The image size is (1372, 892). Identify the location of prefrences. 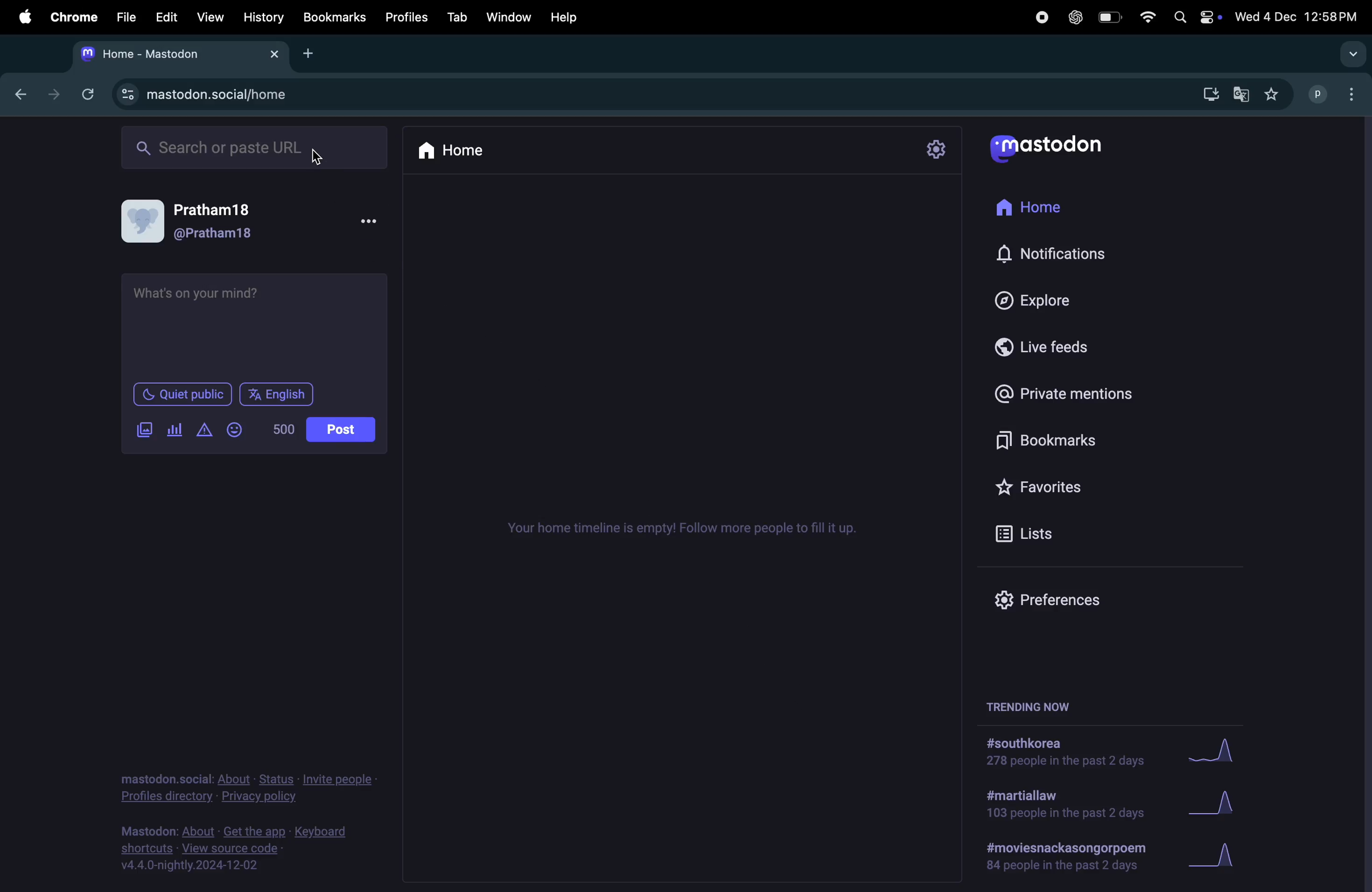
(1049, 600).